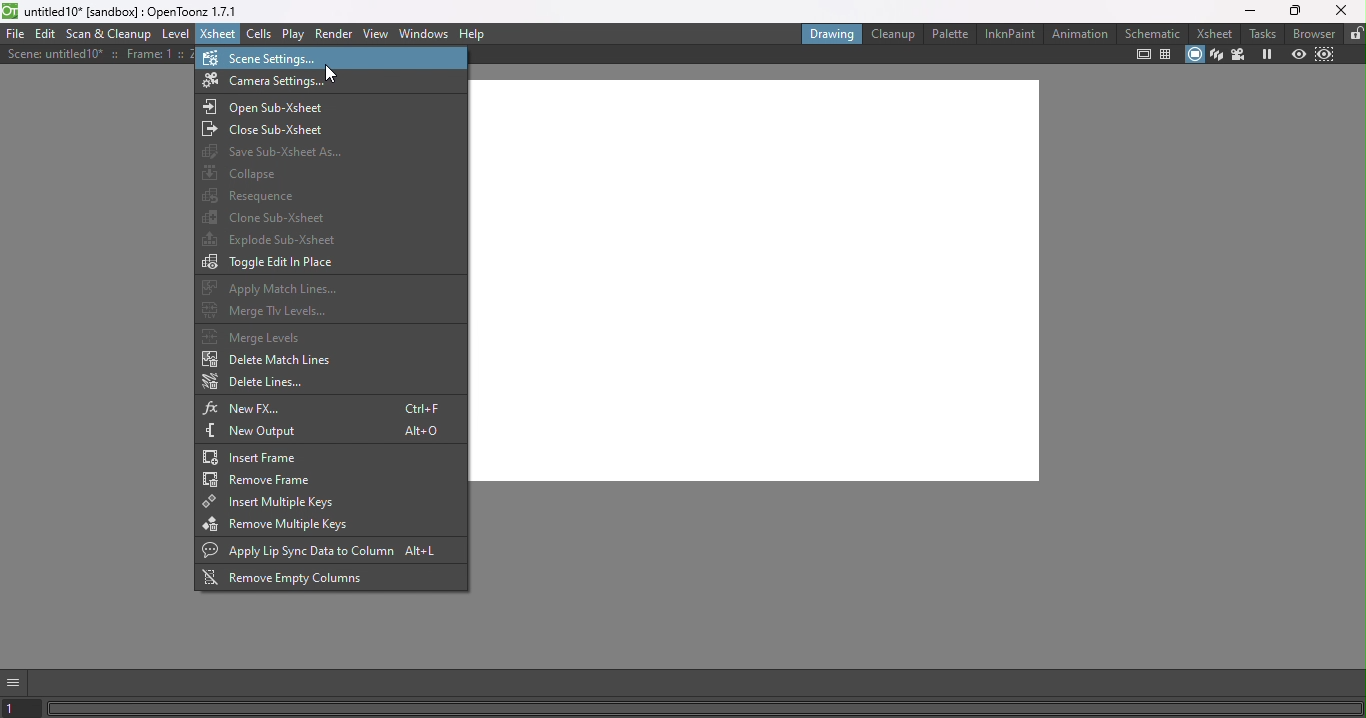 The height and width of the screenshot is (718, 1366). What do you see at coordinates (265, 216) in the screenshot?
I see `Clone sub-xsheet` at bounding box center [265, 216].